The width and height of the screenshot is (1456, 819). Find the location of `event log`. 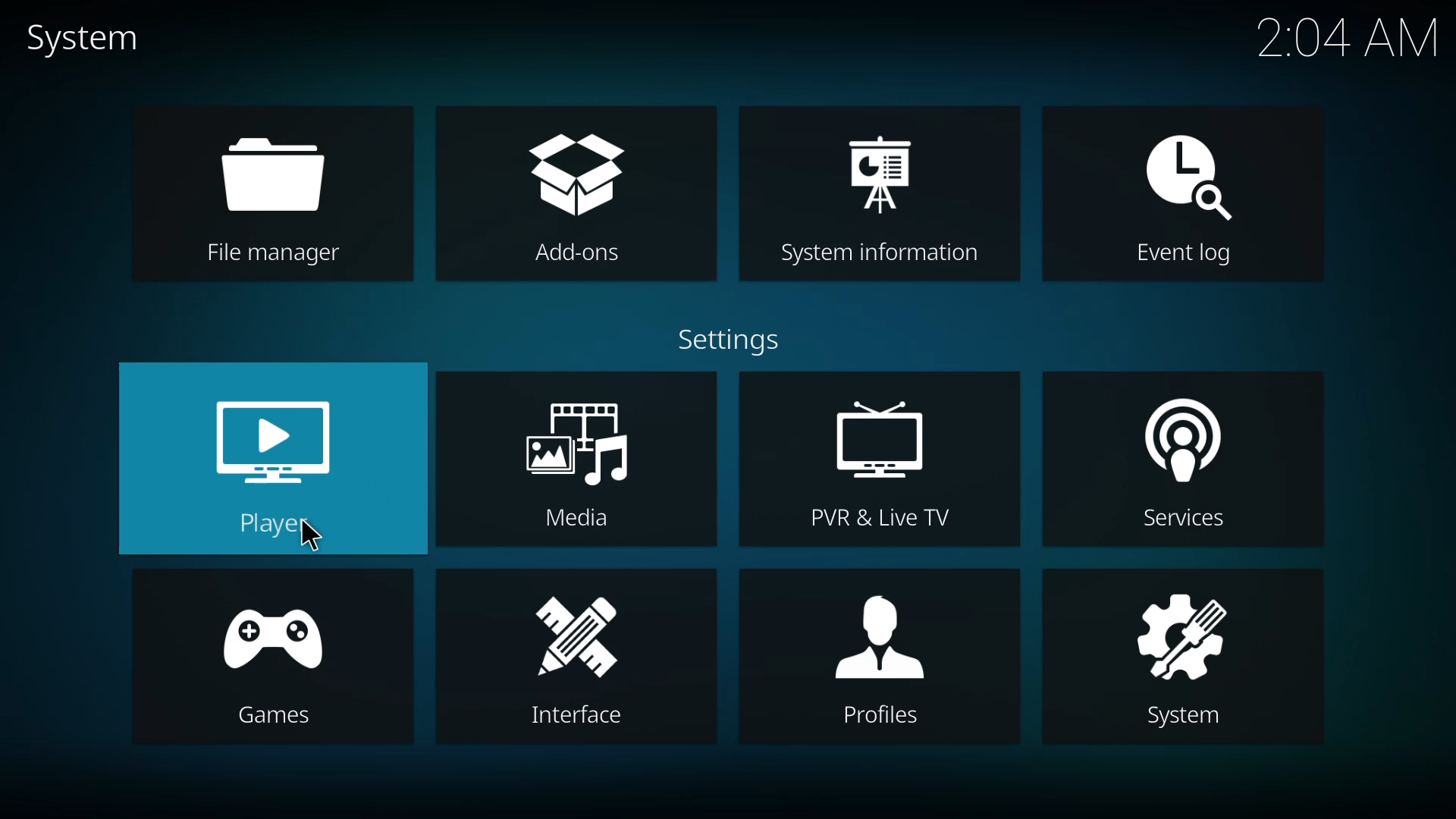

event log is located at coordinates (1184, 197).